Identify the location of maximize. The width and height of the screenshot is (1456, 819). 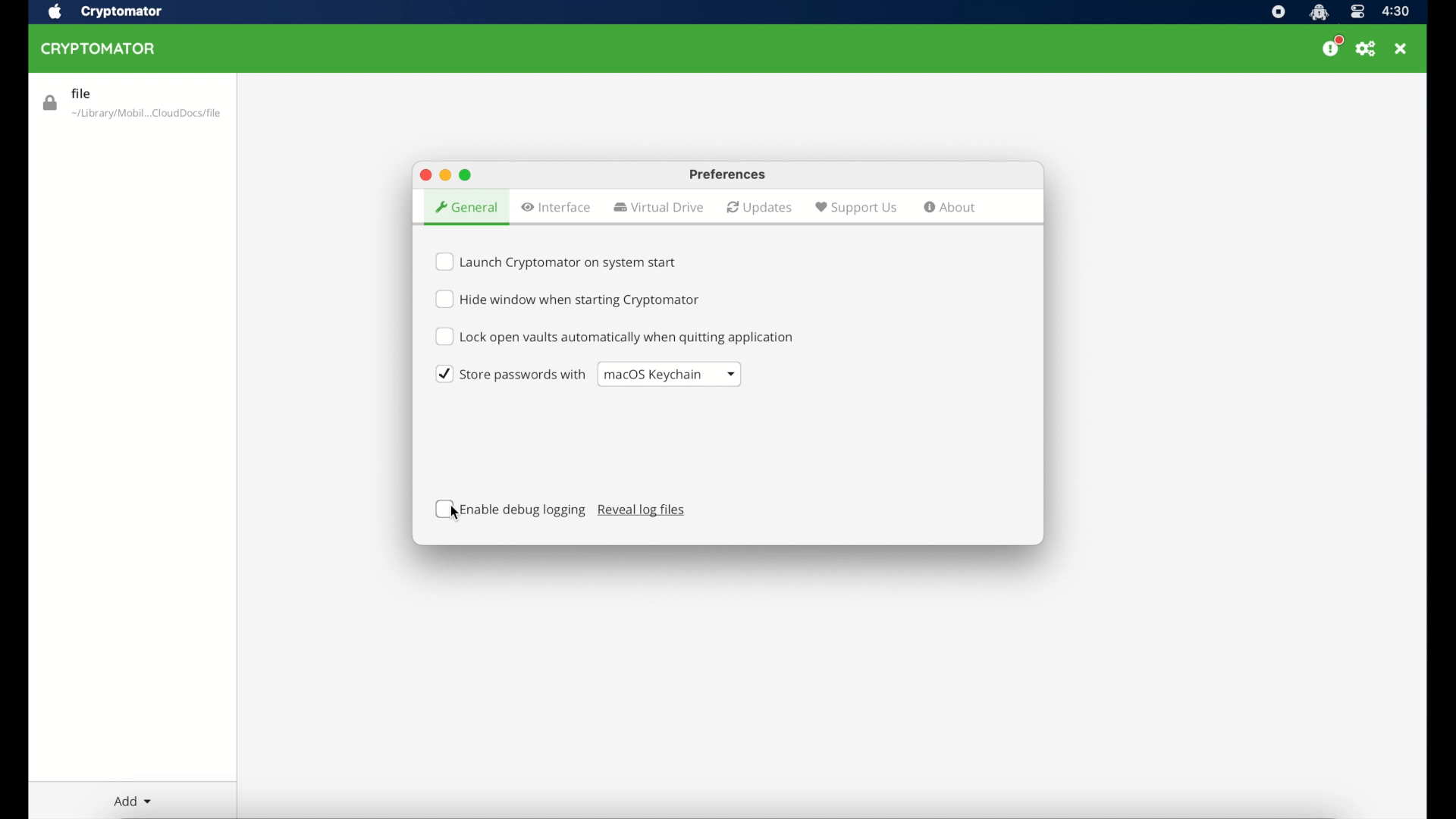
(467, 175).